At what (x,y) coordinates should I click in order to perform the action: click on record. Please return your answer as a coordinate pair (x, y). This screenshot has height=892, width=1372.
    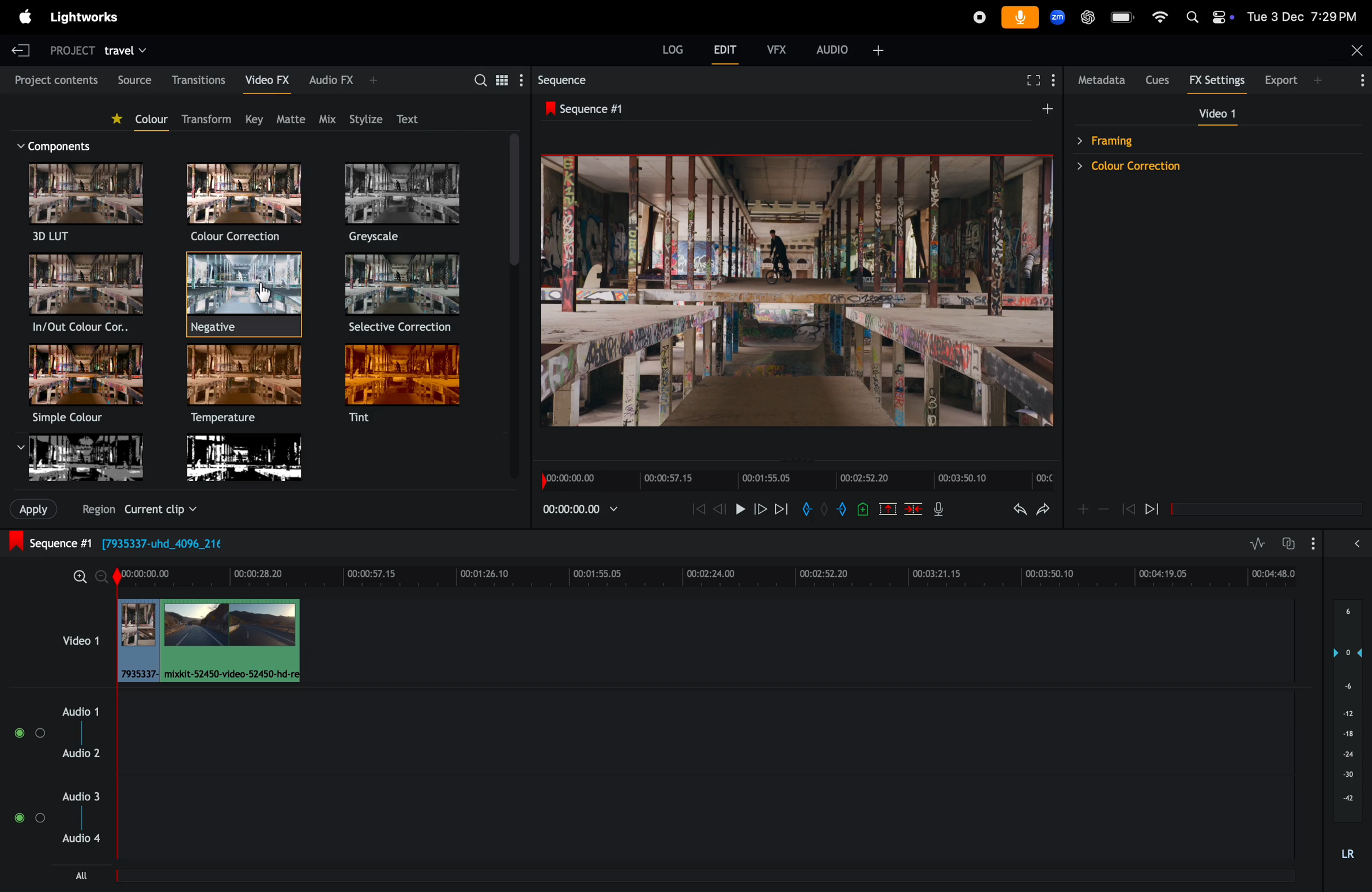
    Looking at the image, I should click on (976, 16).